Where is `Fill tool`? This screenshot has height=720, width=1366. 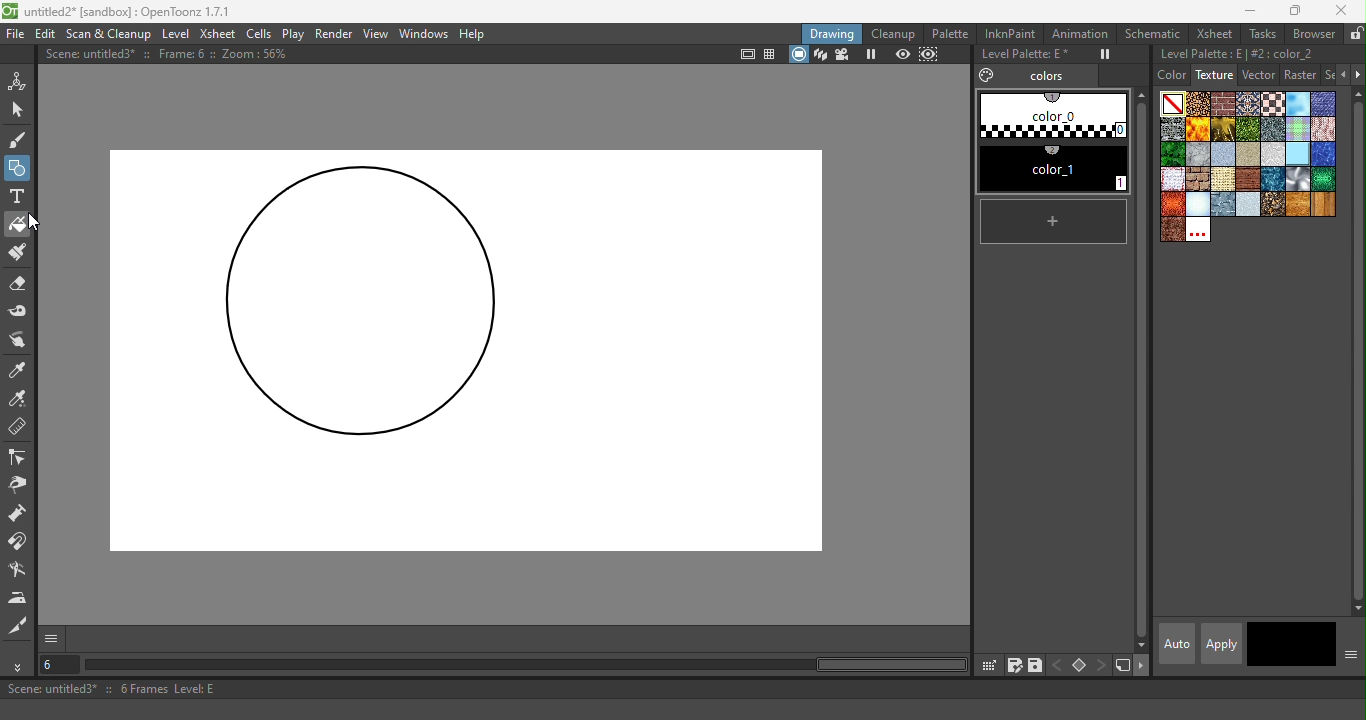
Fill tool is located at coordinates (17, 227).